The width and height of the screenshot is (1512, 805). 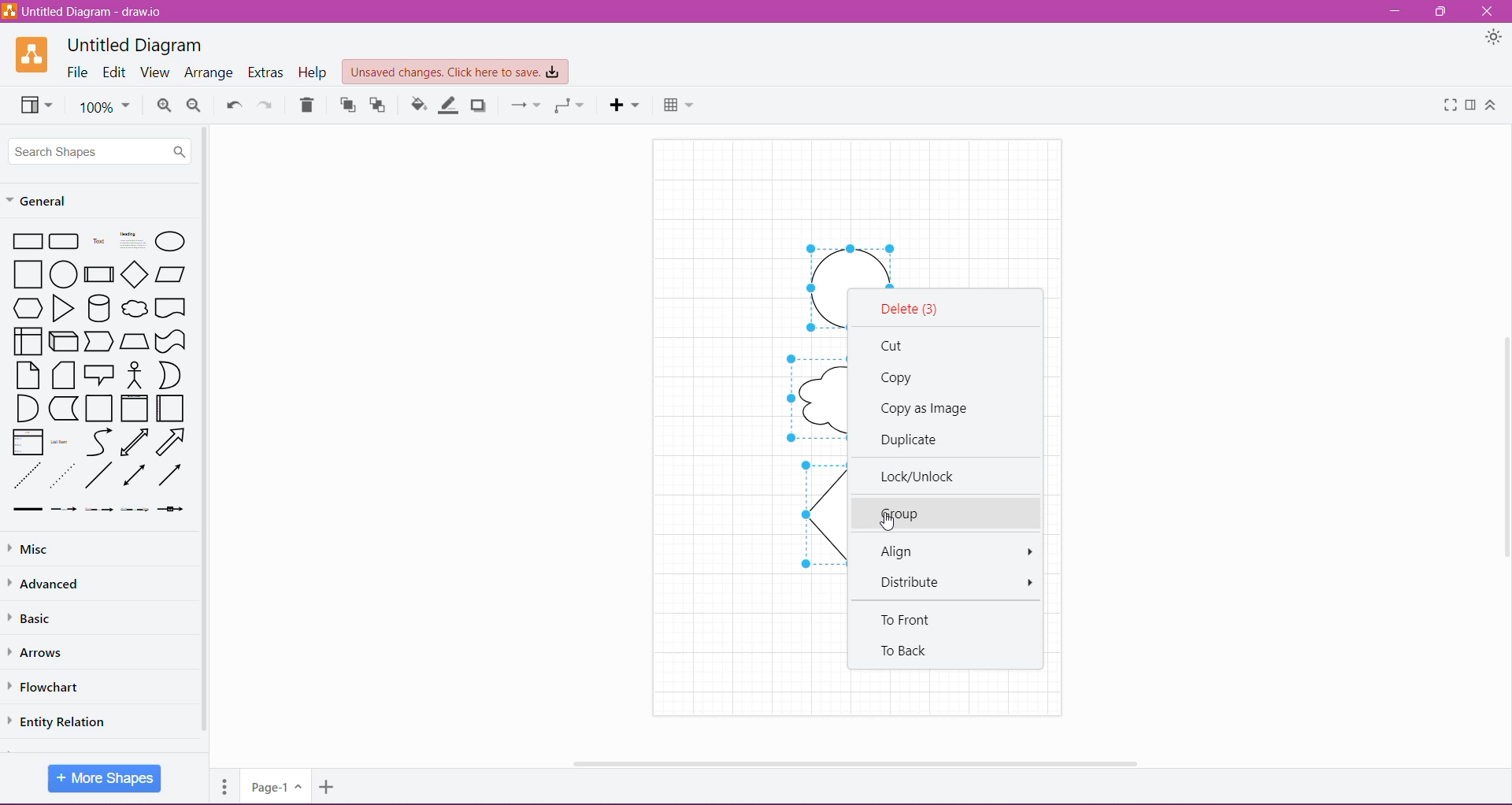 I want to click on Fill Color, so click(x=419, y=105).